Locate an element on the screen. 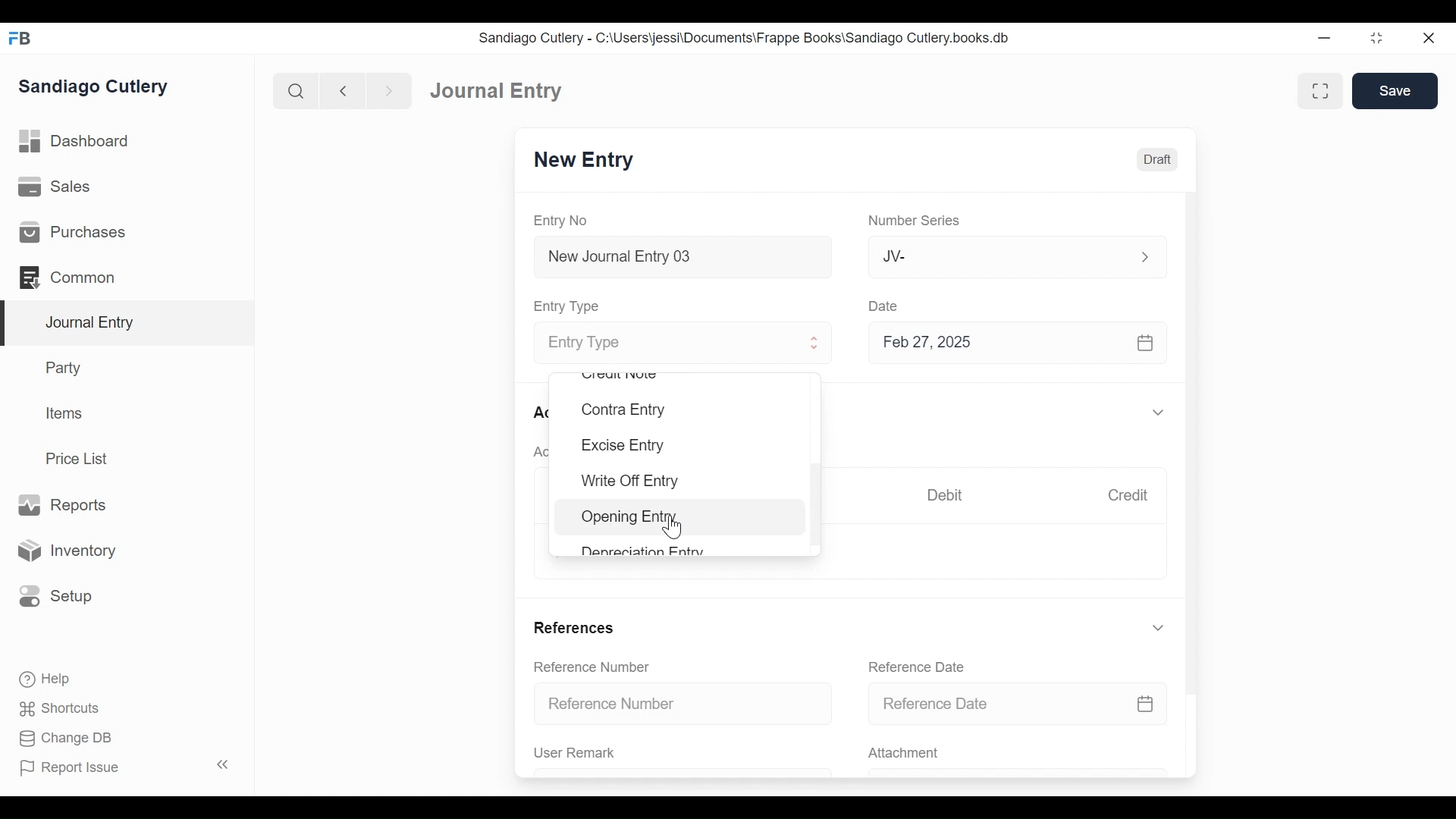 The image size is (1456, 819). Inventory is located at coordinates (65, 550).